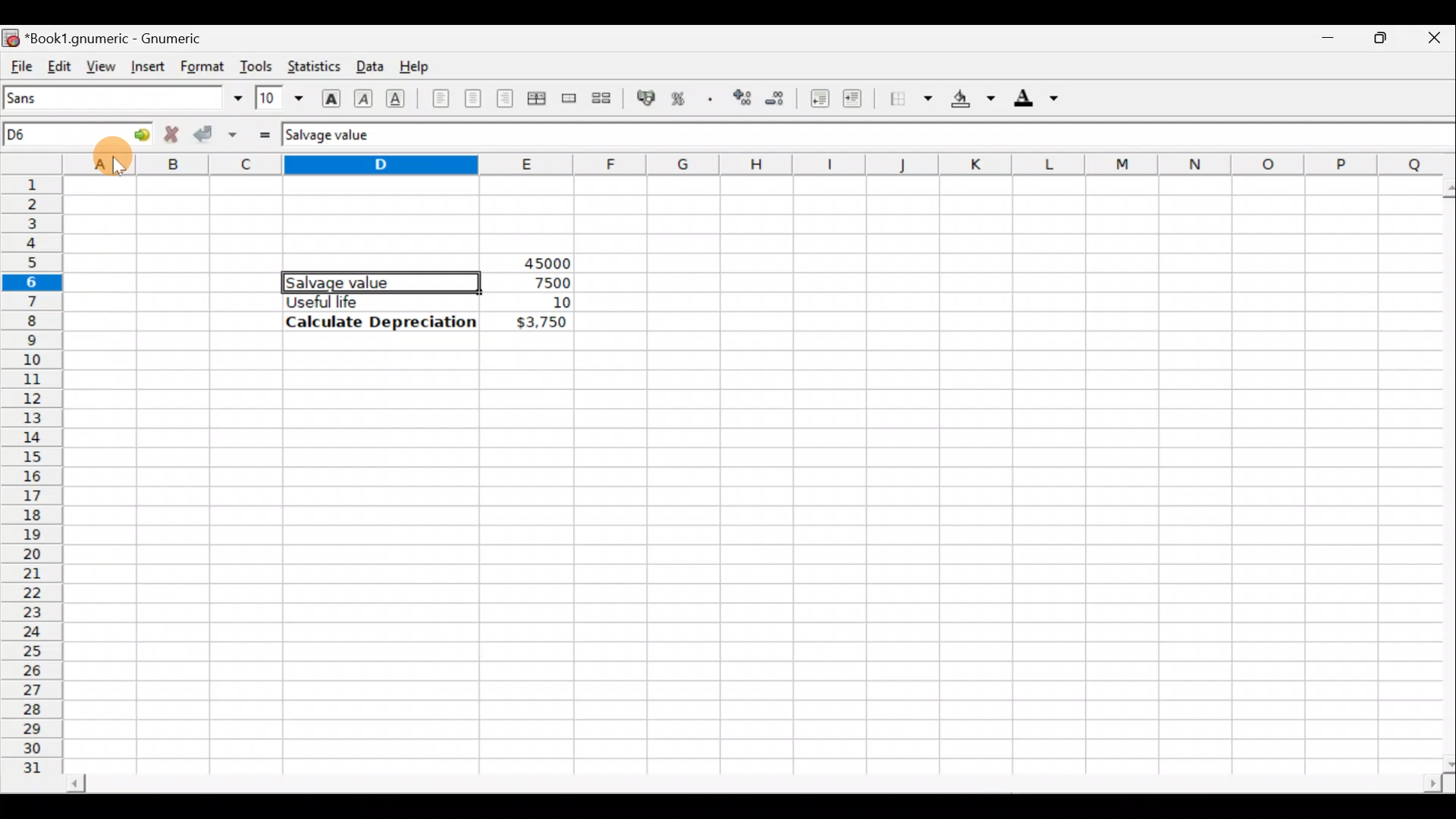  What do you see at coordinates (441, 99) in the screenshot?
I see `Align left` at bounding box center [441, 99].